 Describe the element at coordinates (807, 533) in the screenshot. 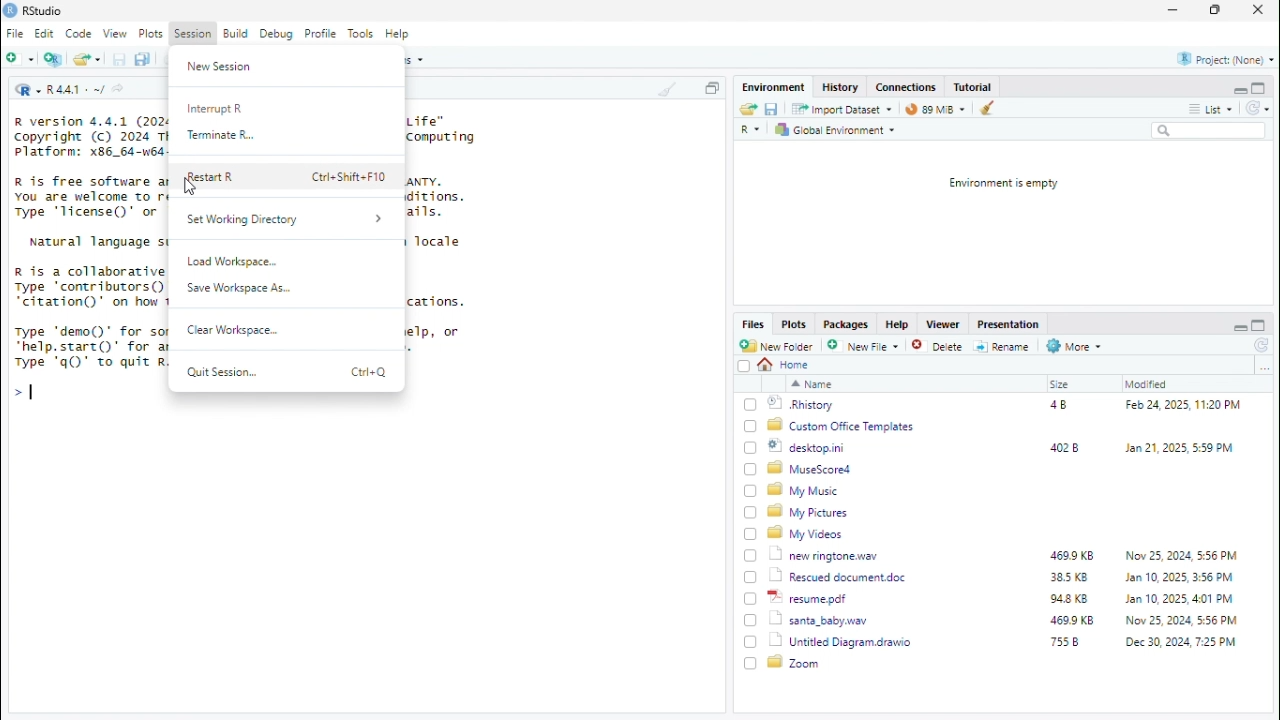

I see `My Videos` at that location.